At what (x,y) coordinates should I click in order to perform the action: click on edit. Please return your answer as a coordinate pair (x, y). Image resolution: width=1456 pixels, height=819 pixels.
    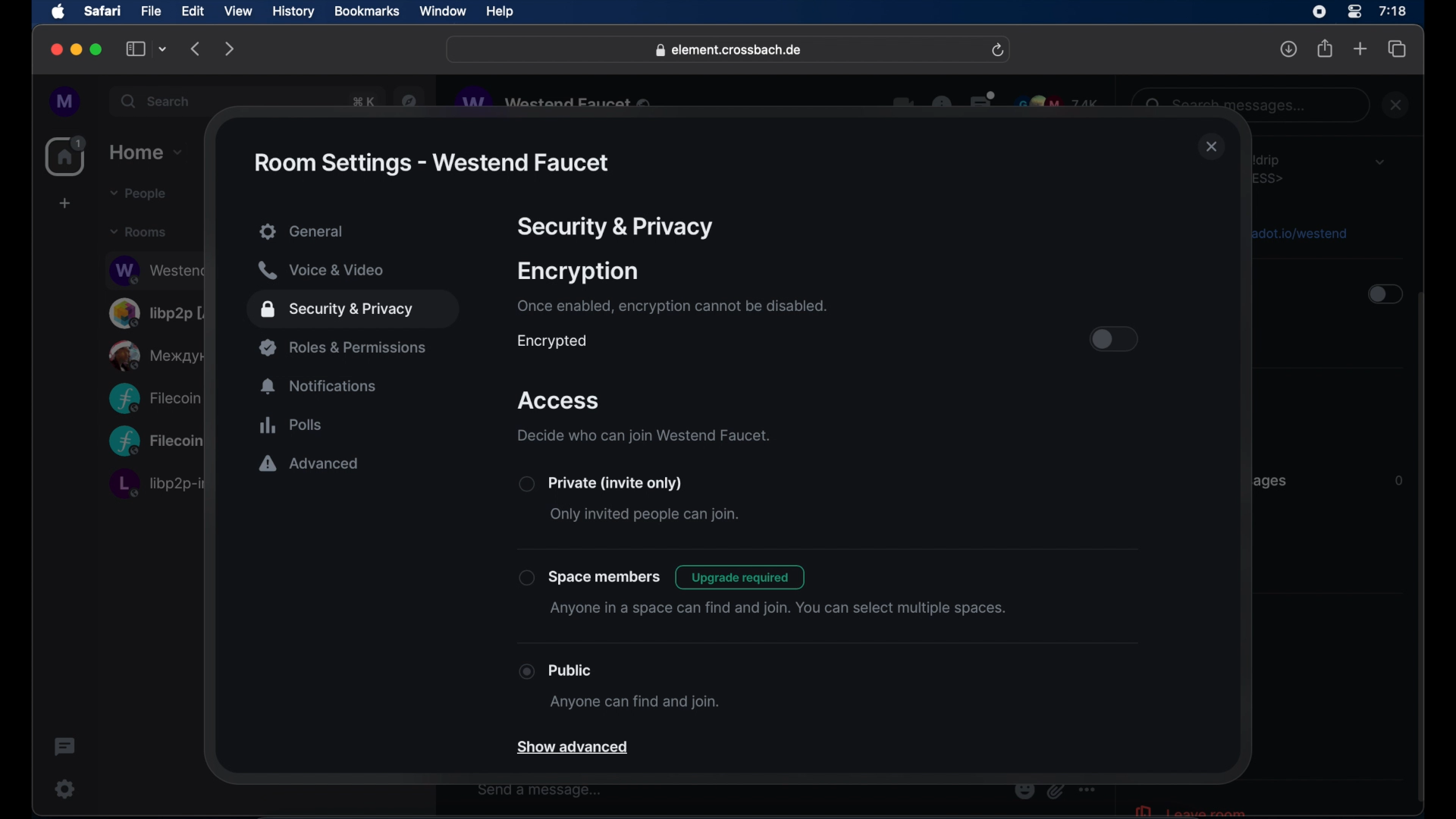
    Looking at the image, I should click on (193, 11).